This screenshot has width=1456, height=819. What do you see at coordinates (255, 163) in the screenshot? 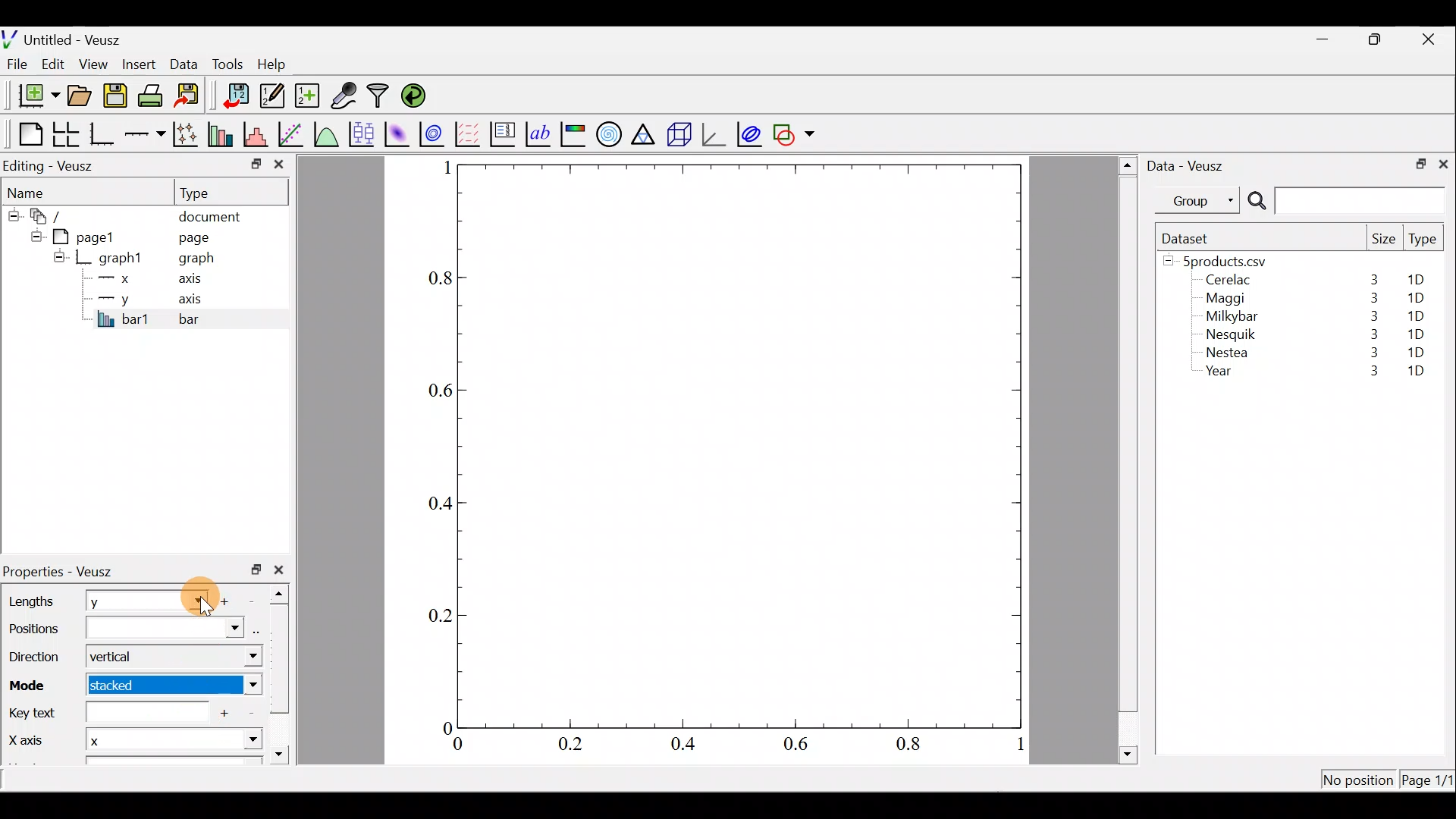
I see `minimize` at bounding box center [255, 163].